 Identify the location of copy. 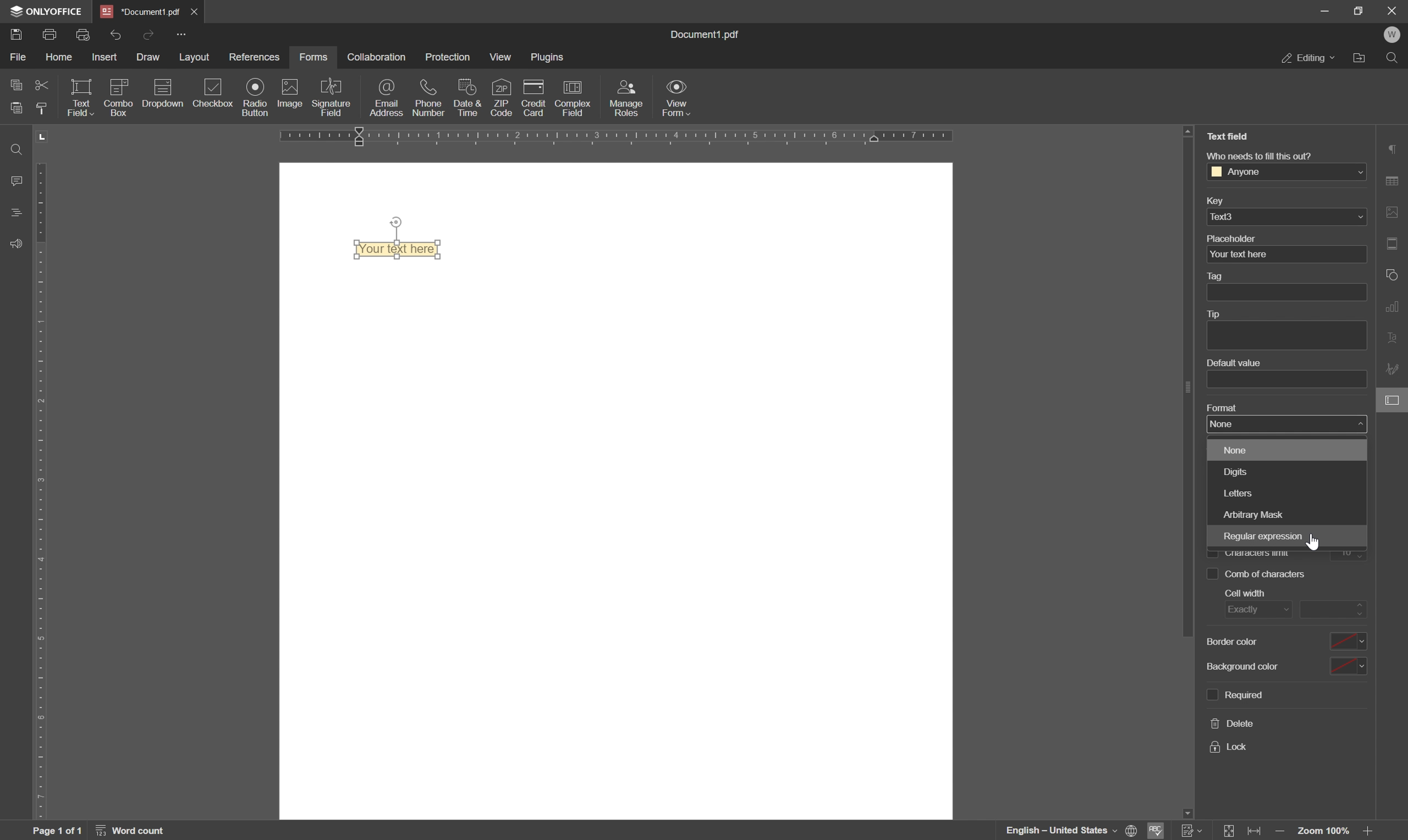
(13, 85).